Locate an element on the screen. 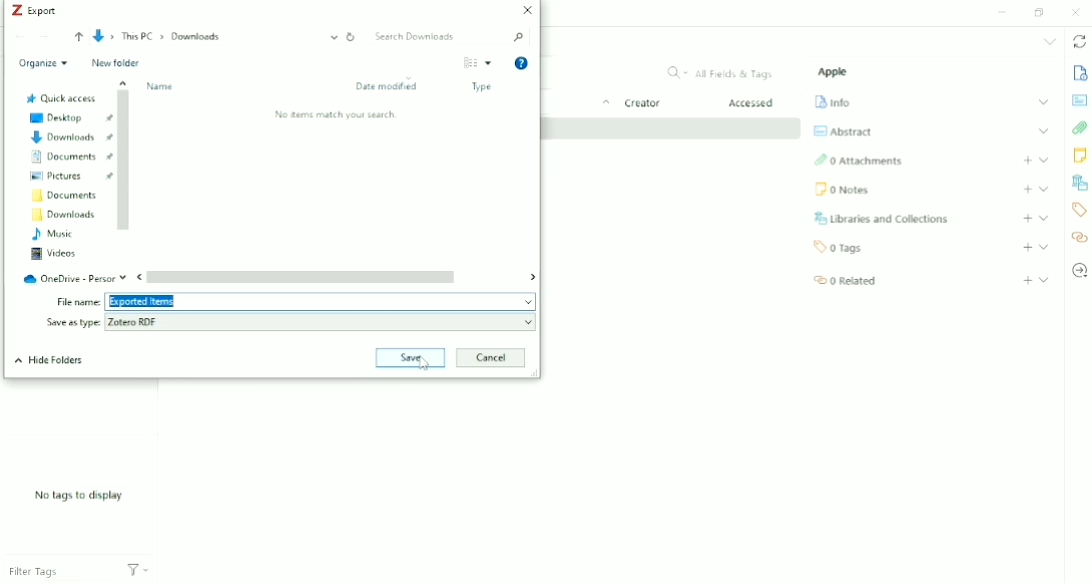 The image size is (1092, 584). OneDrive - Personal is located at coordinates (74, 276).